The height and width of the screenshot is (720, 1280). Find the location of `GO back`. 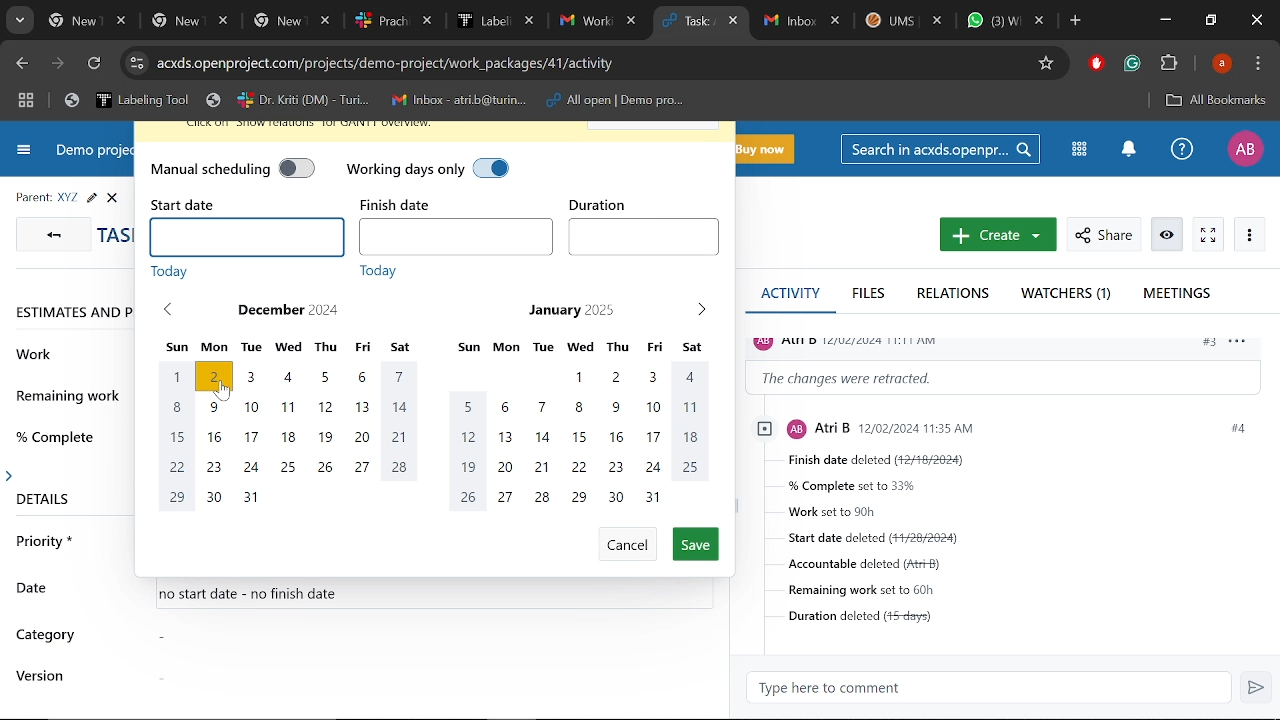

GO back is located at coordinates (50, 233).